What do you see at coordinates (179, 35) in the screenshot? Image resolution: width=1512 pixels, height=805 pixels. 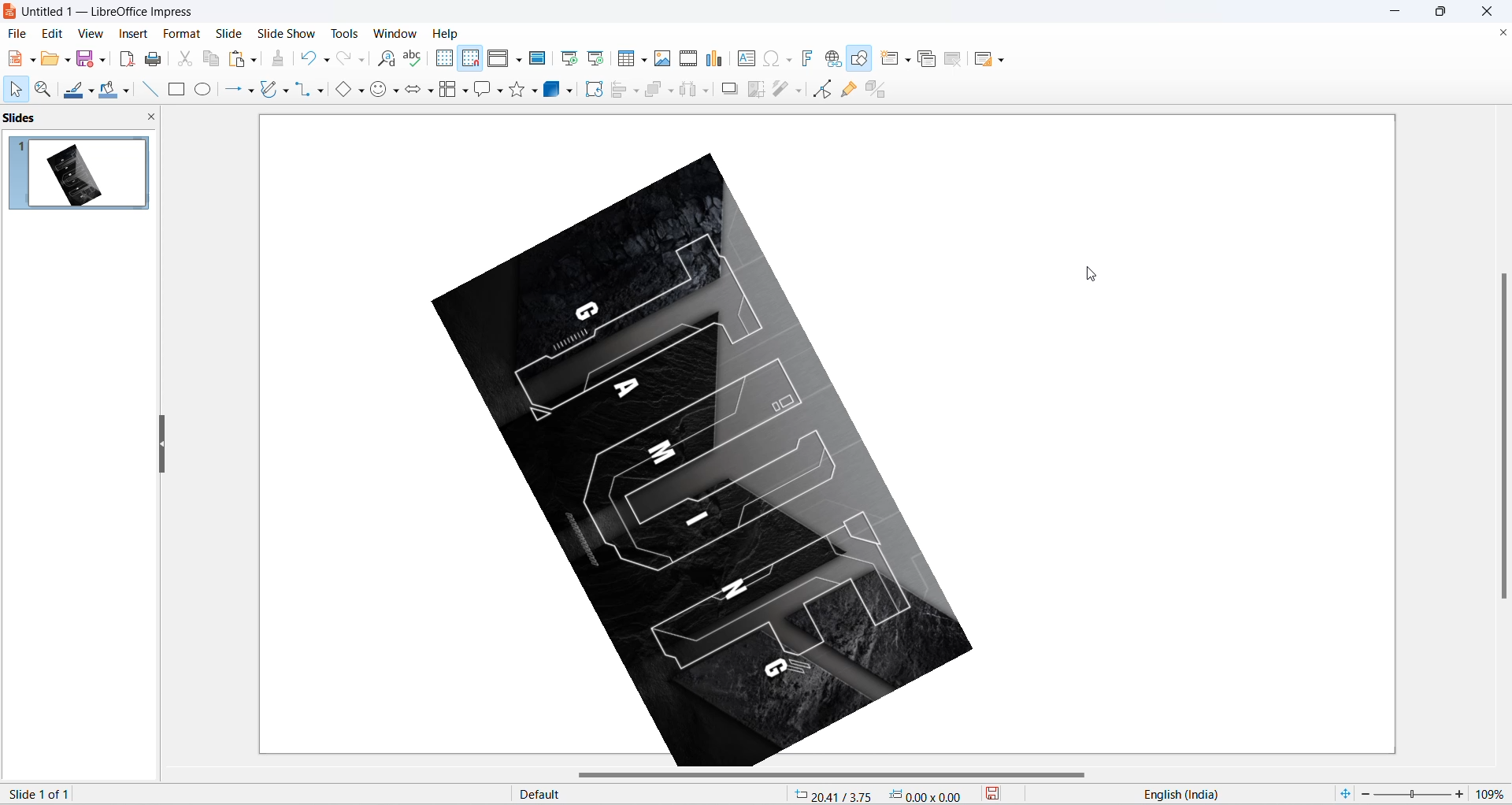 I see `format` at bounding box center [179, 35].